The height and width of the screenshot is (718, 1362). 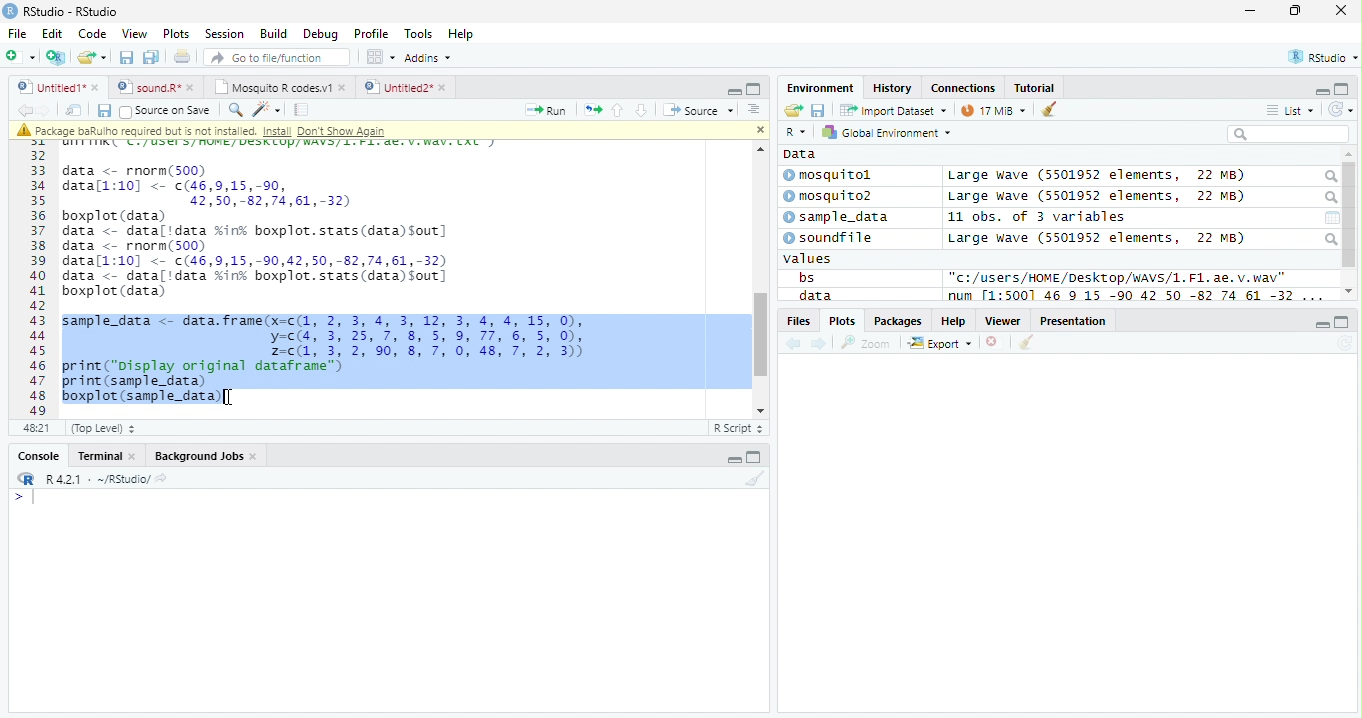 I want to click on Save the current document, so click(x=126, y=57).